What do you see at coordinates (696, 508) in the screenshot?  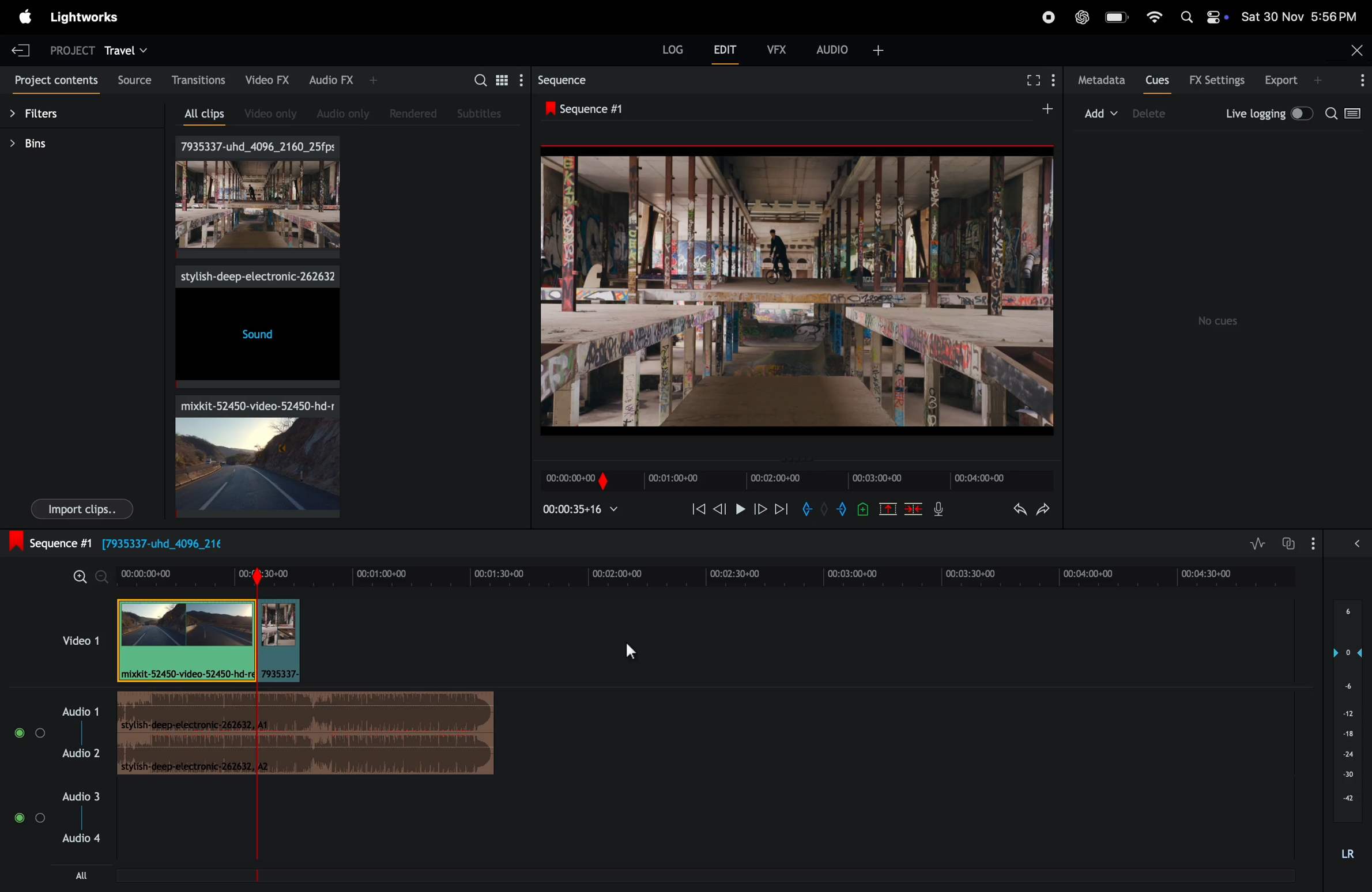 I see `rewind` at bounding box center [696, 508].